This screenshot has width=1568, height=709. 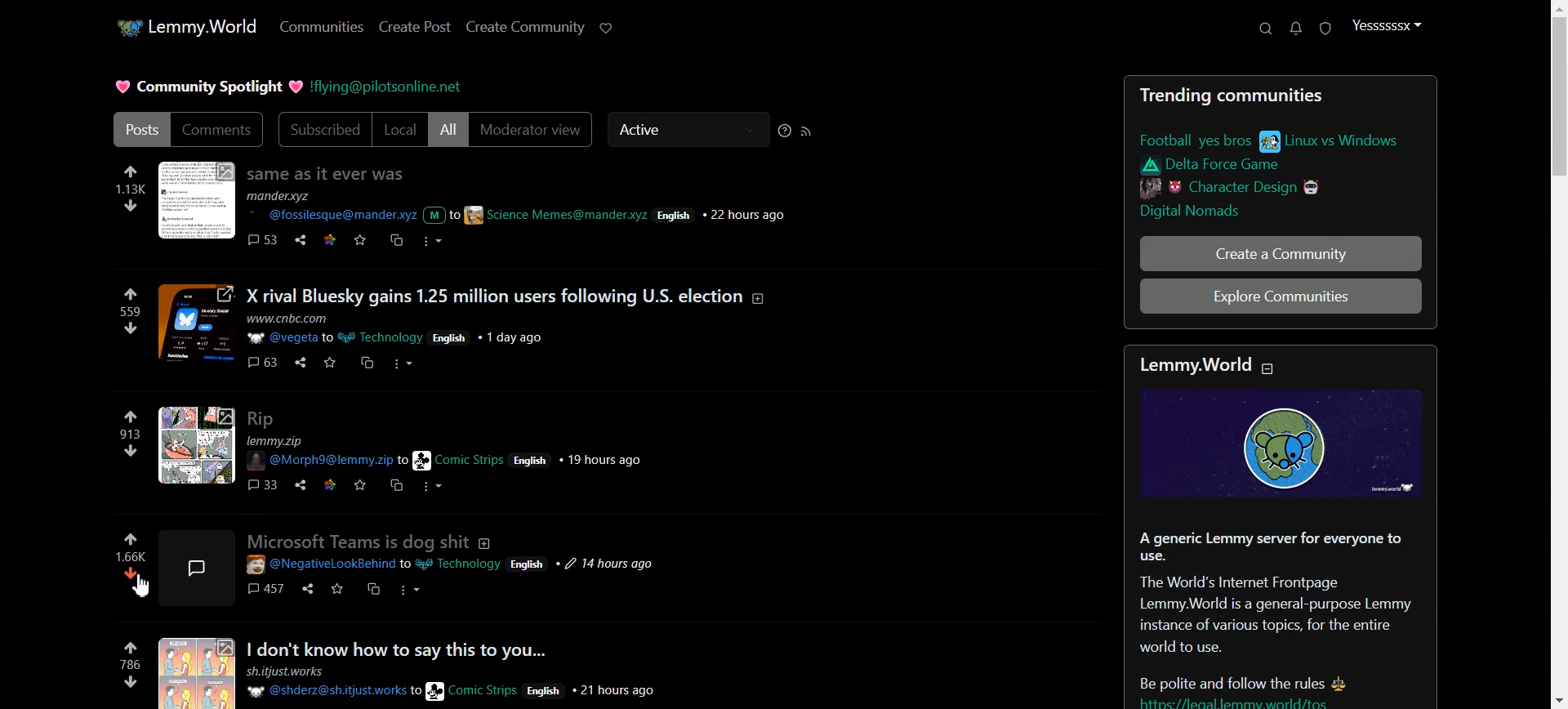 I want to click on post details, so click(x=465, y=682).